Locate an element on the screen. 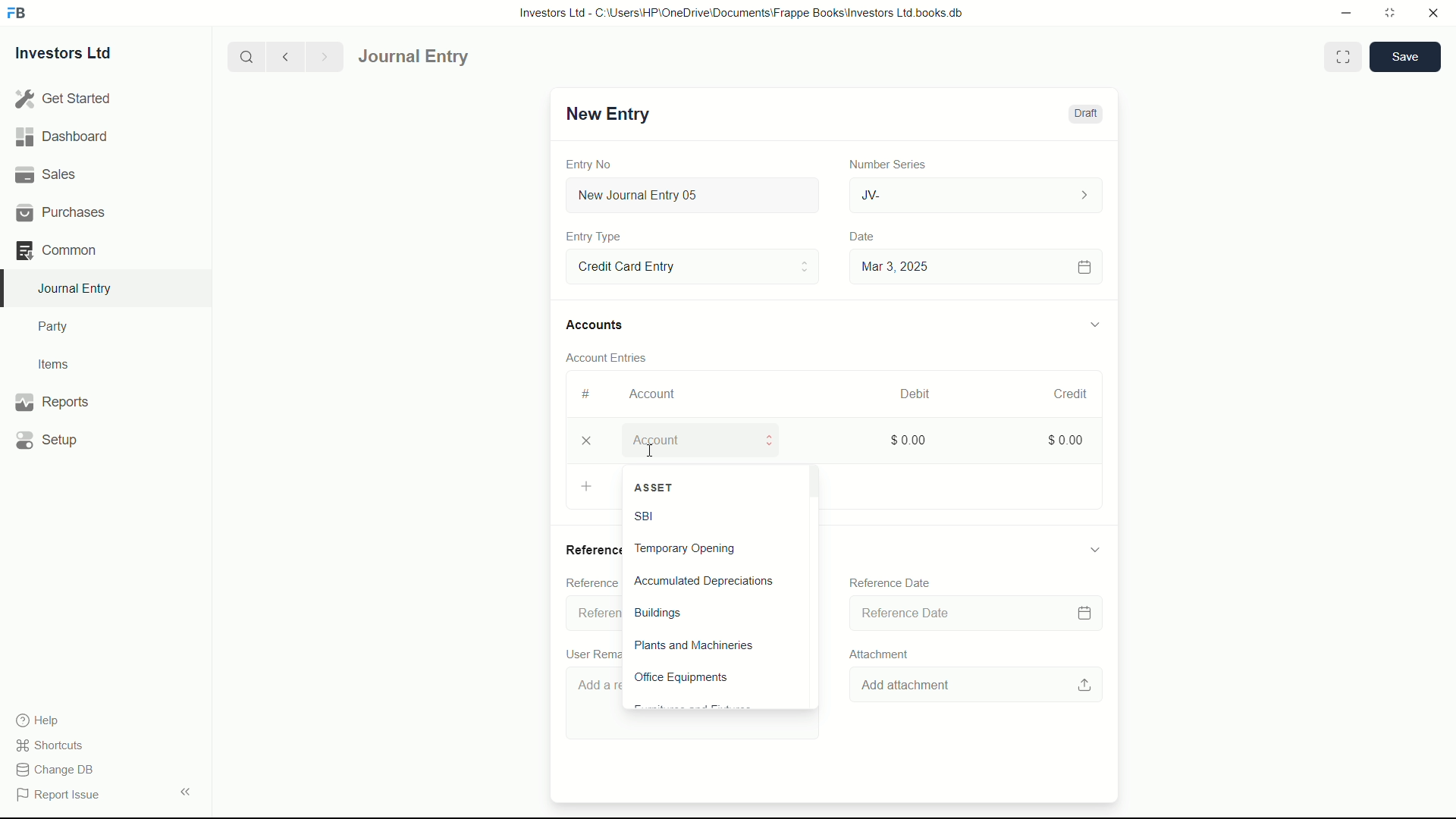  Entry Type is located at coordinates (691, 265).